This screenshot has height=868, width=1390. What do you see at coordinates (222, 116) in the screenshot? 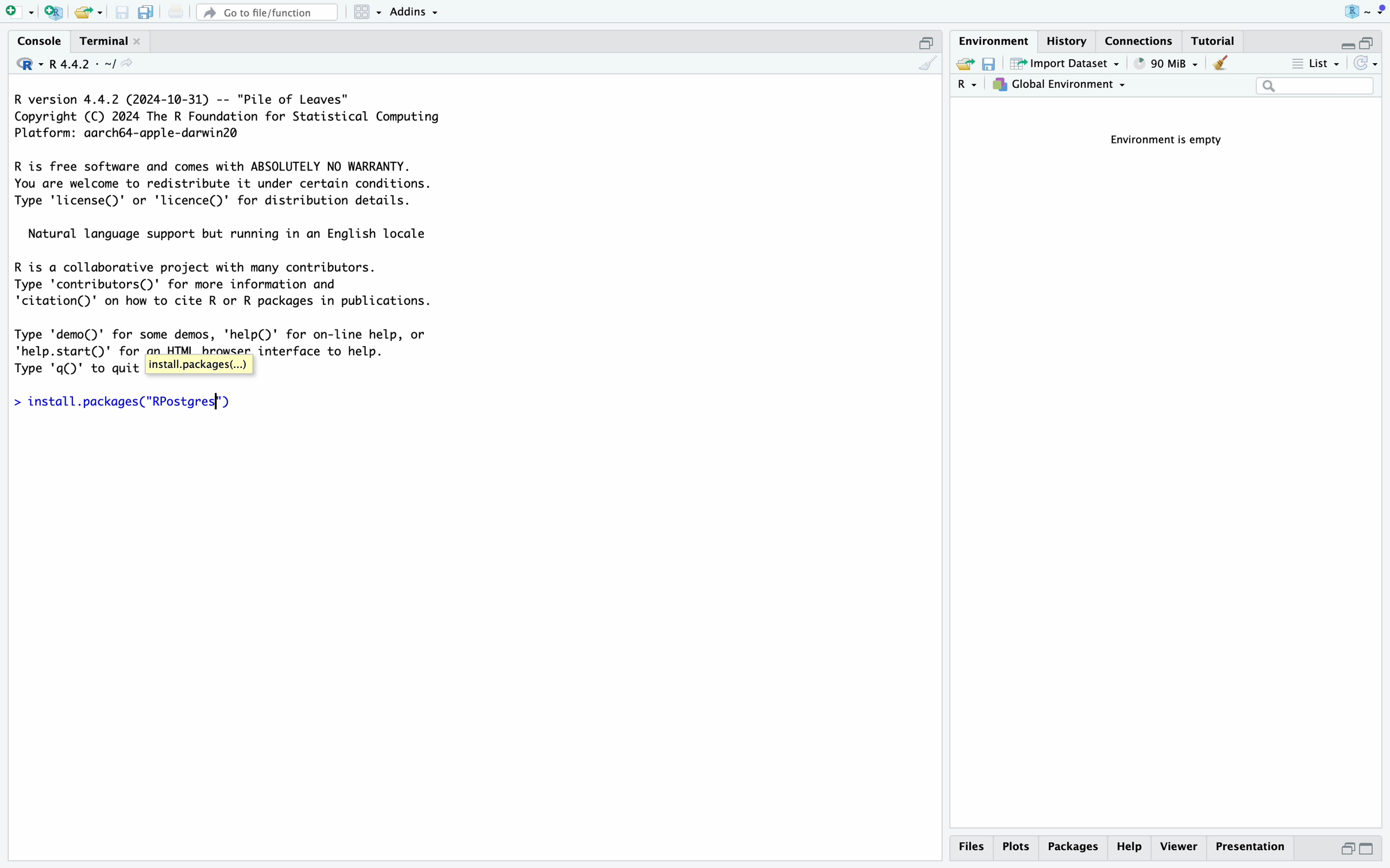
I see `description of version of R ` at bounding box center [222, 116].